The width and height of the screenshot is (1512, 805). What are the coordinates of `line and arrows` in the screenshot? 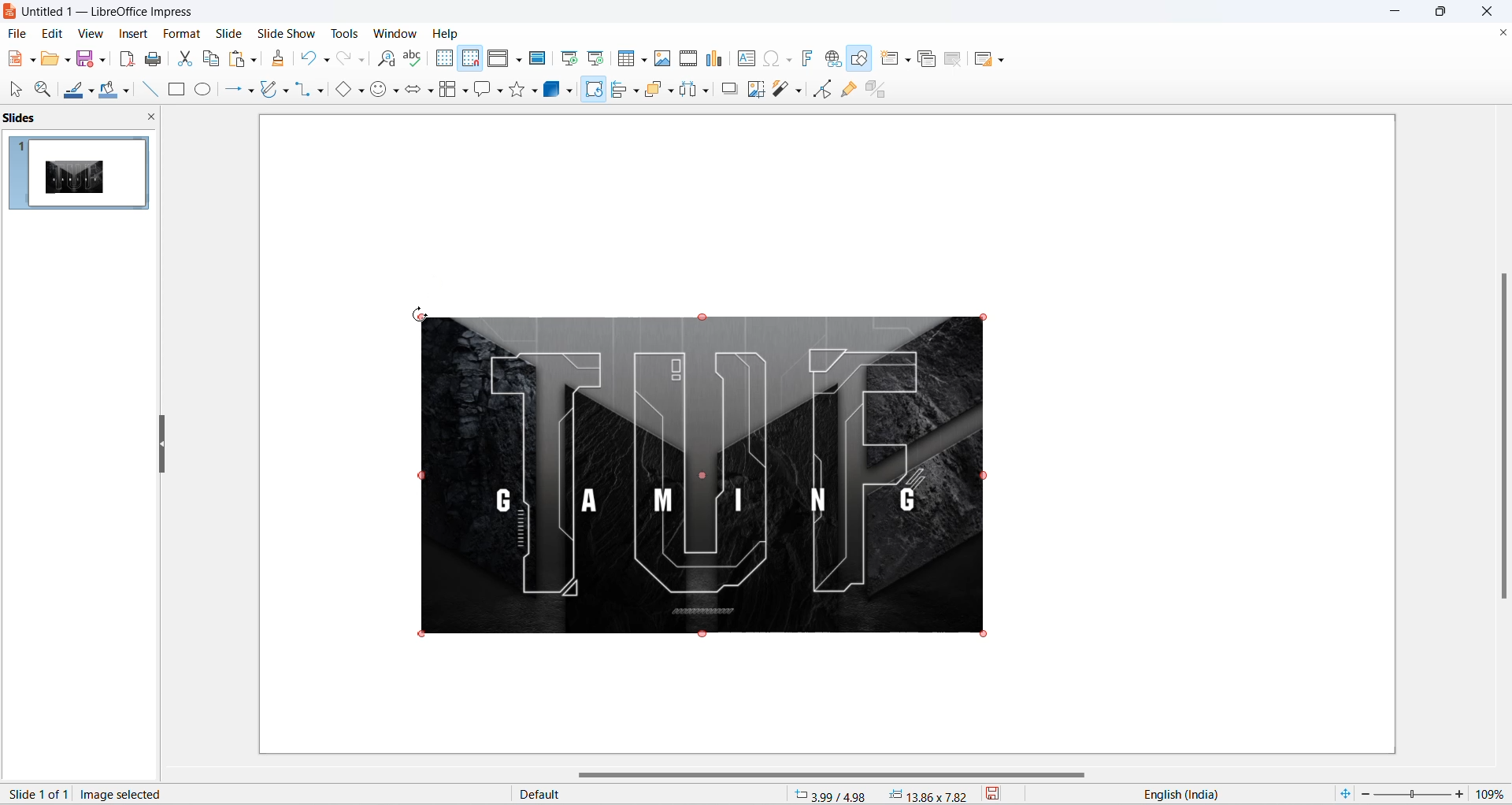 It's located at (230, 90).